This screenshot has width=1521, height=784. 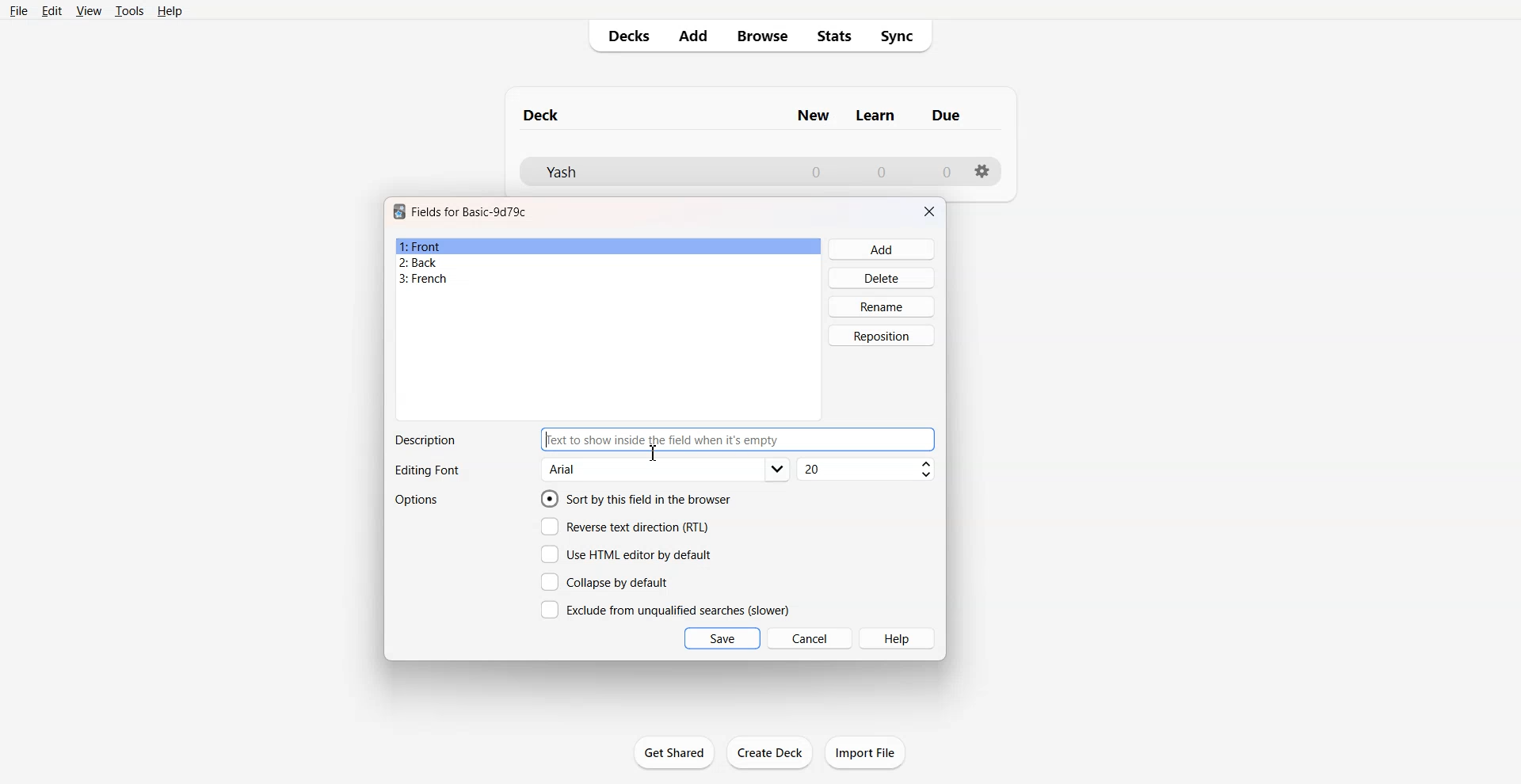 What do you see at coordinates (867, 470) in the screenshot?
I see `Font size` at bounding box center [867, 470].